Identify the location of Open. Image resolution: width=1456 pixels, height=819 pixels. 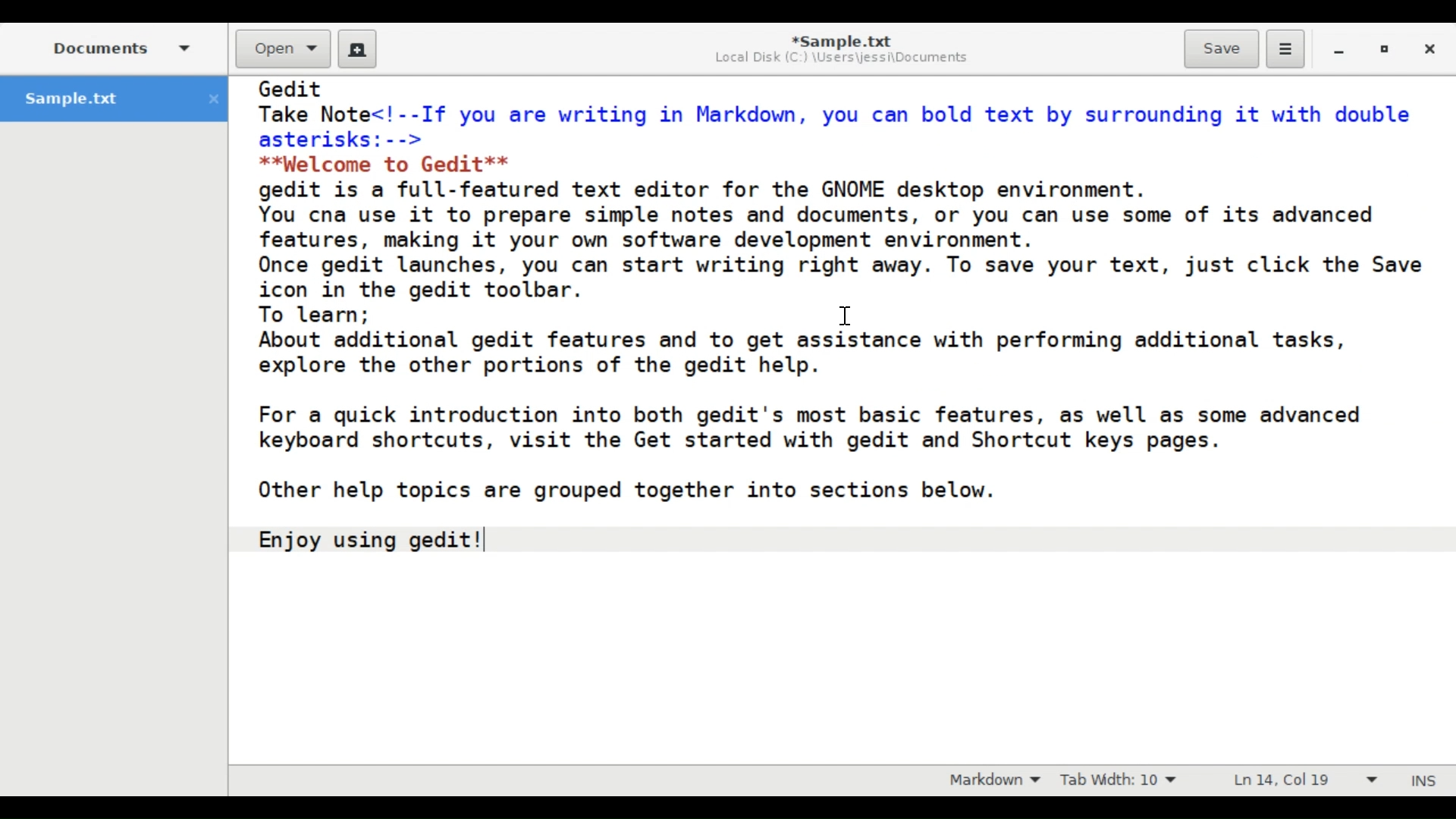
(284, 50).